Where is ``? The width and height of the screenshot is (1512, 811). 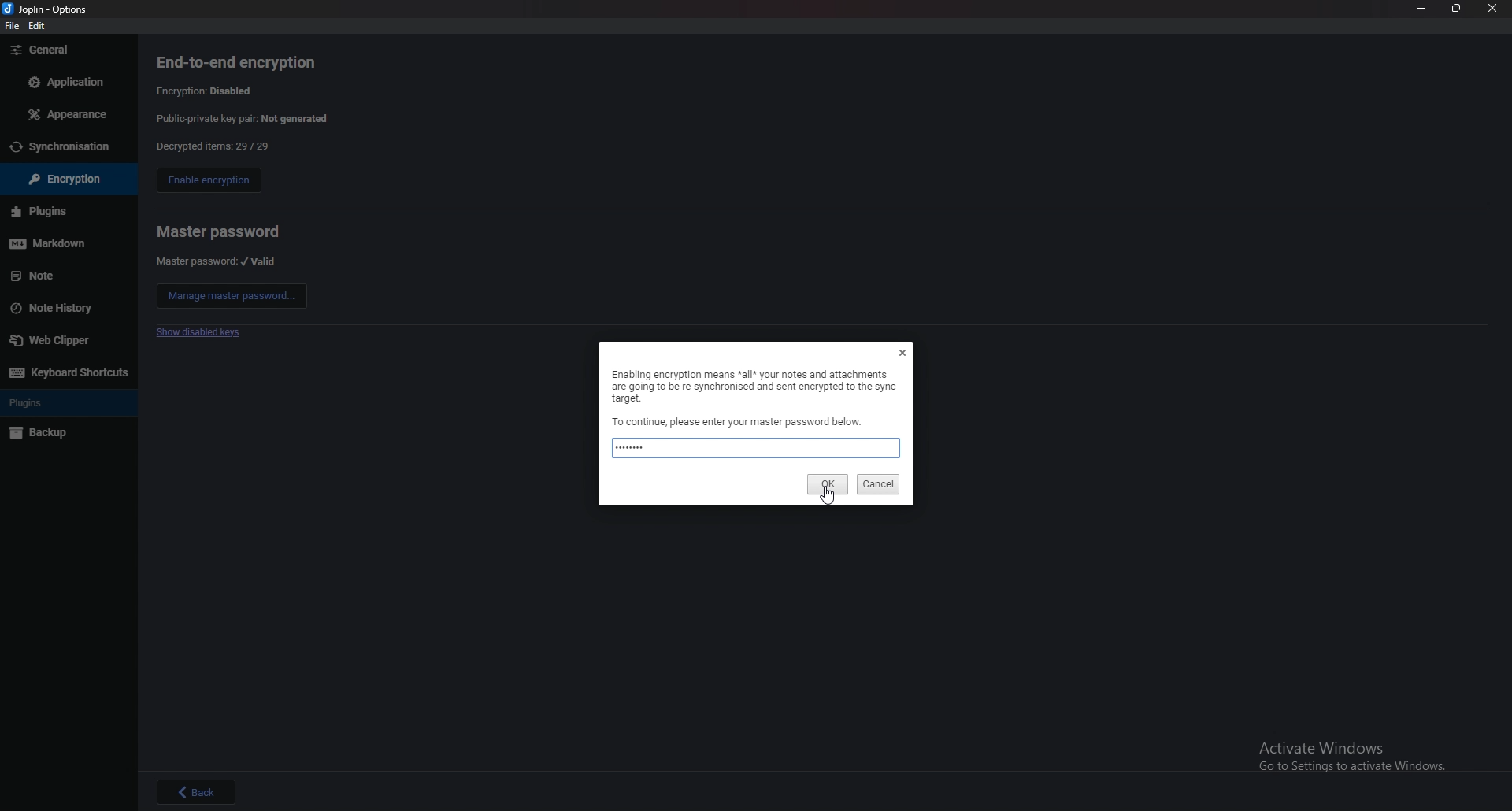  is located at coordinates (28, 402).